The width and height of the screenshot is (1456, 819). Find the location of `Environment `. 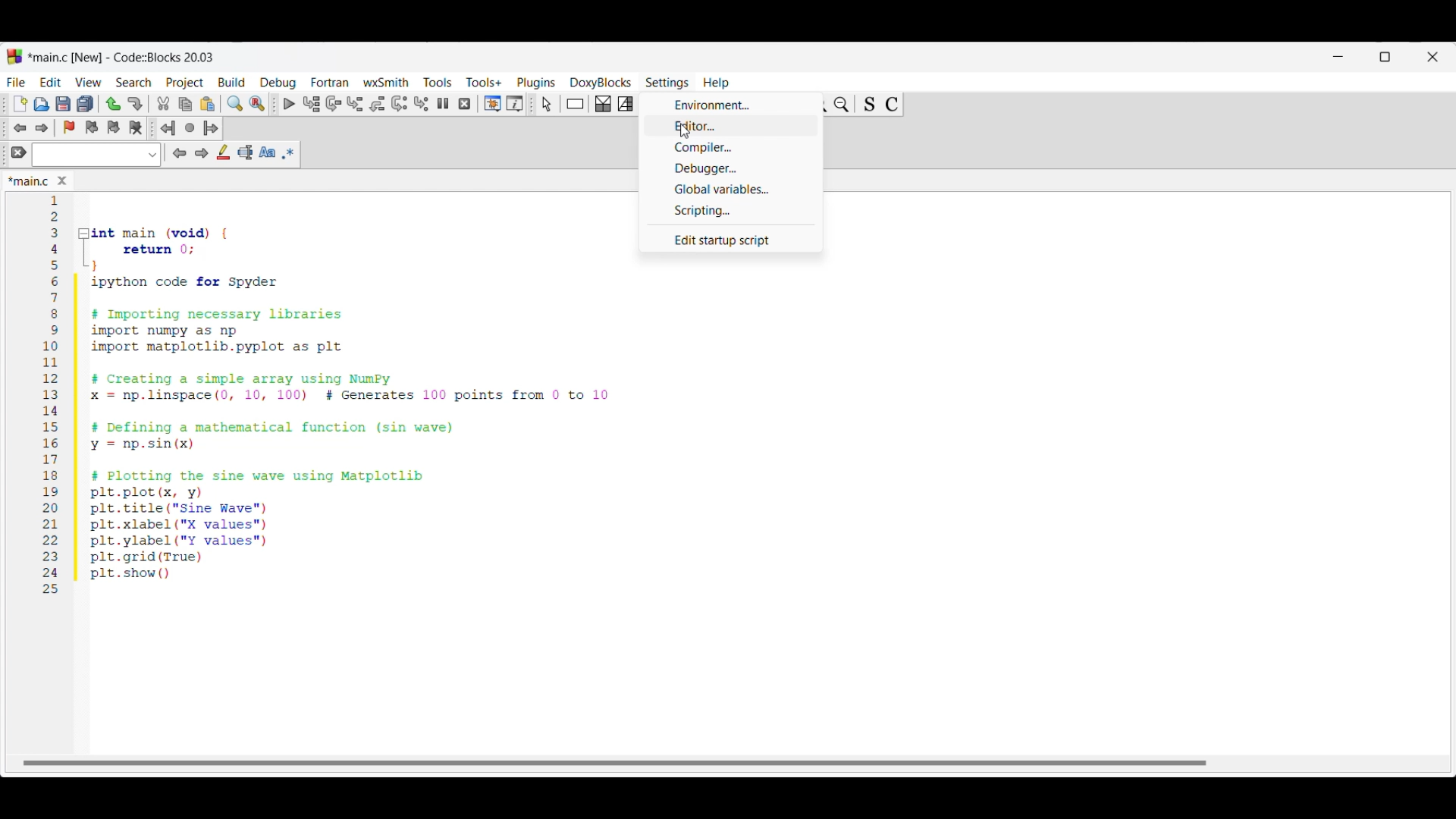

Environment  is located at coordinates (733, 105).